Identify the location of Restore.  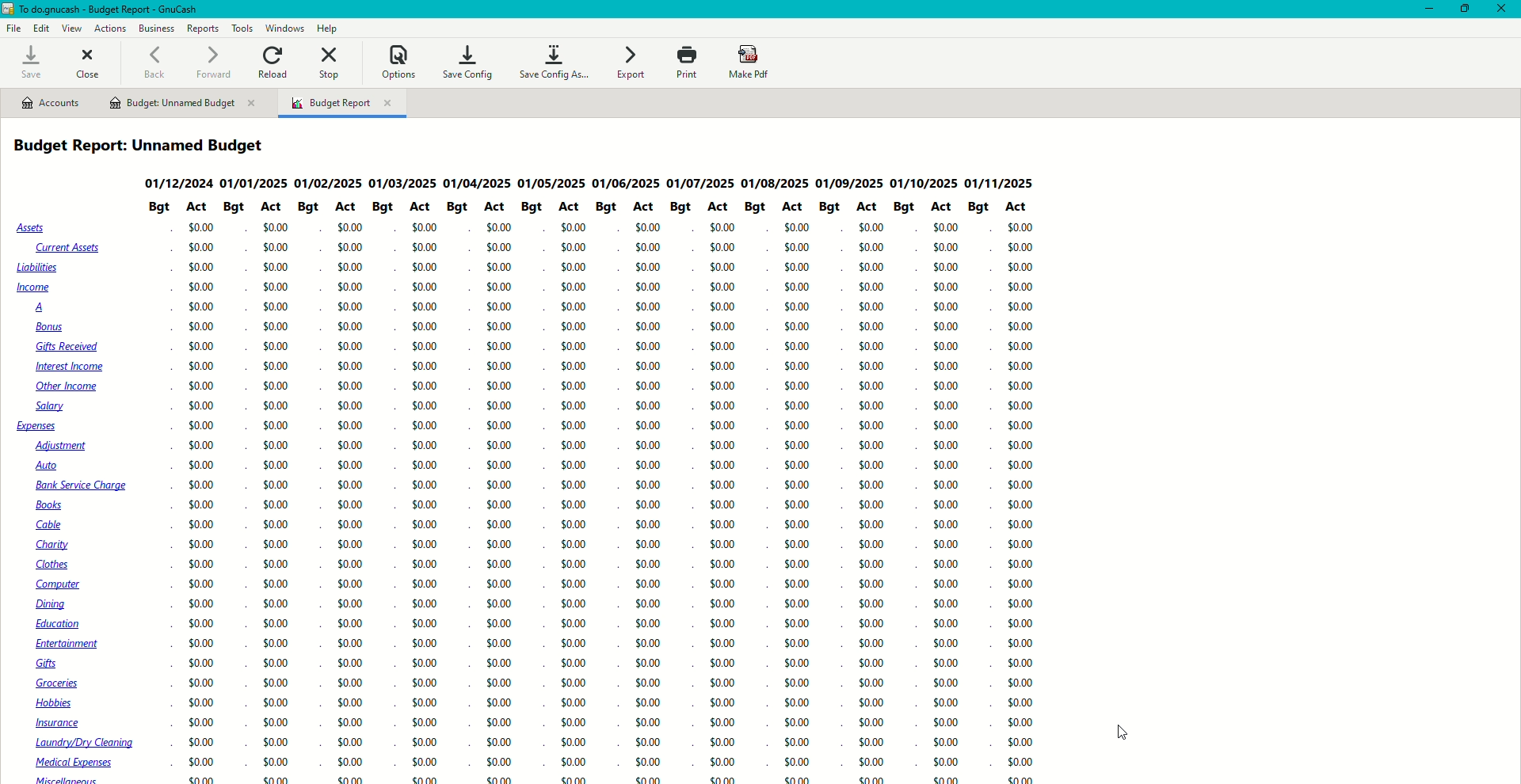
(1466, 10).